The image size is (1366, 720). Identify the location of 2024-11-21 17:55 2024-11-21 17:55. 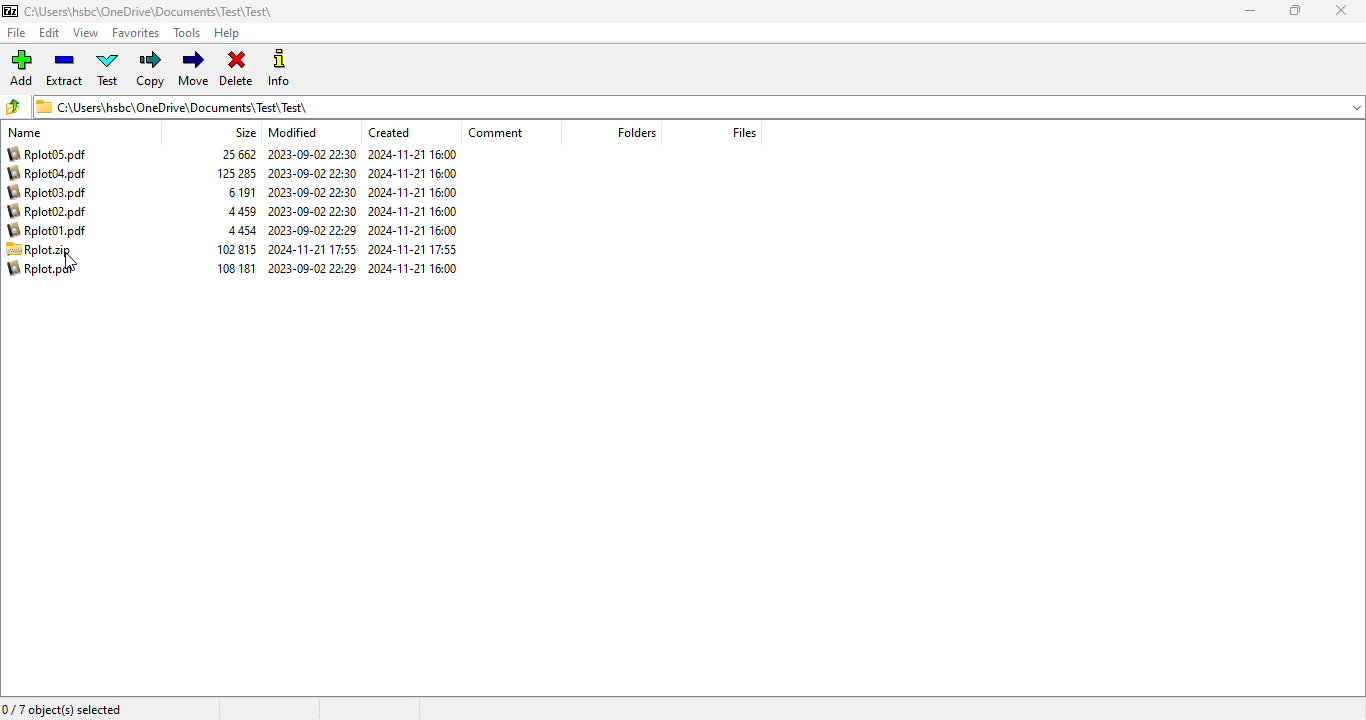
(362, 250).